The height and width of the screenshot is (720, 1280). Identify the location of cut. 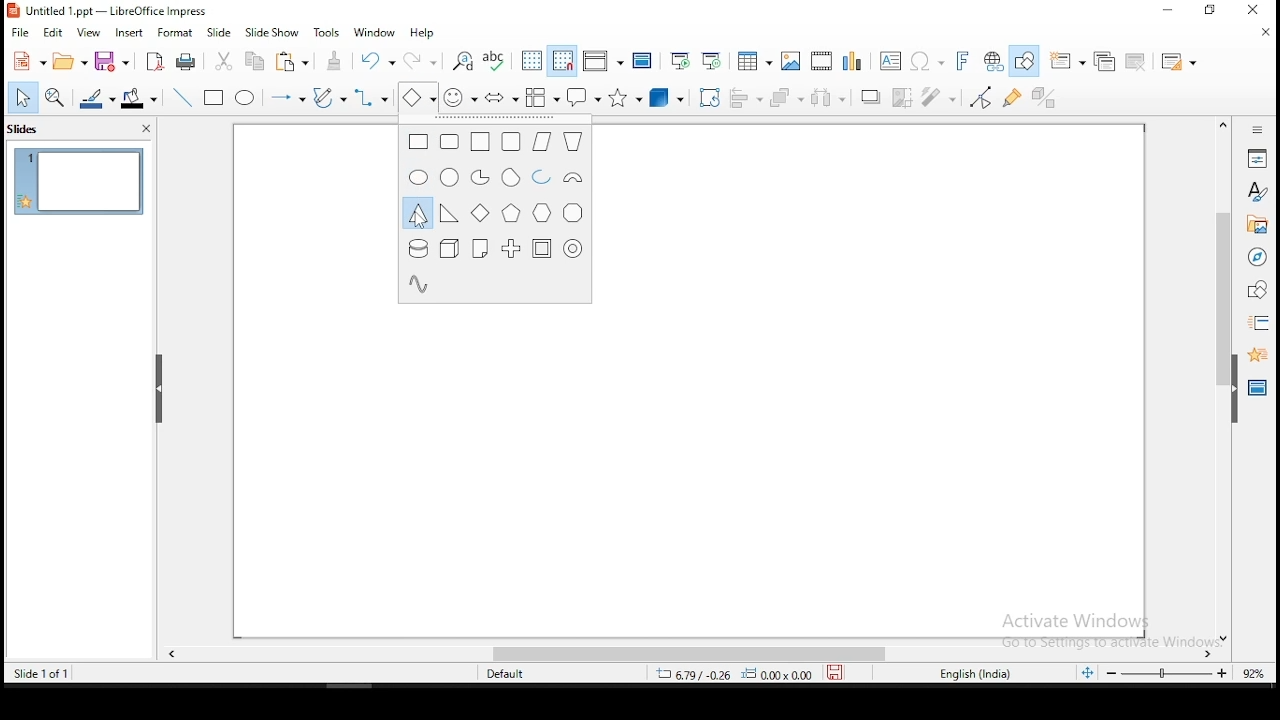
(225, 62).